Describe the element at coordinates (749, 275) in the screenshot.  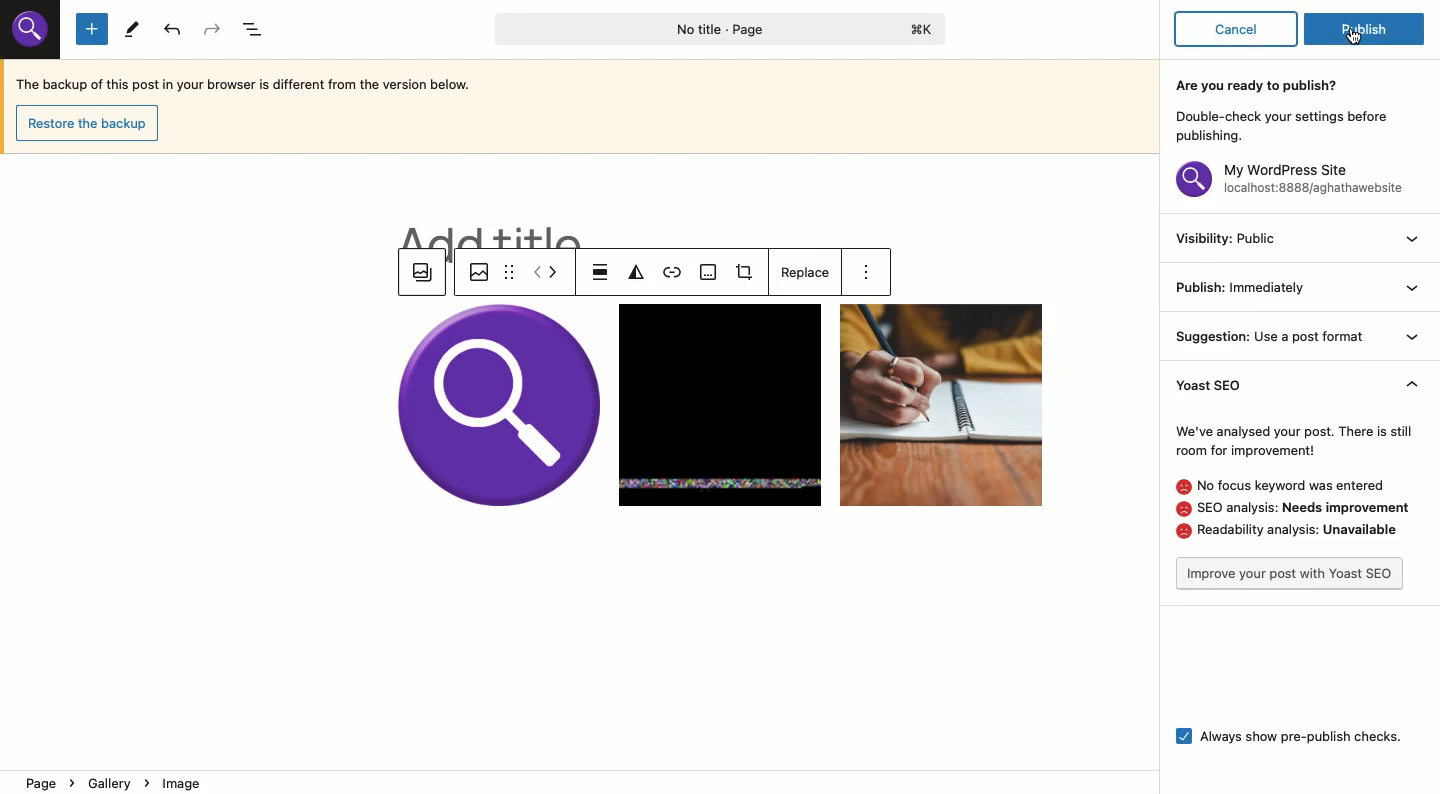
I see `Crop` at that location.